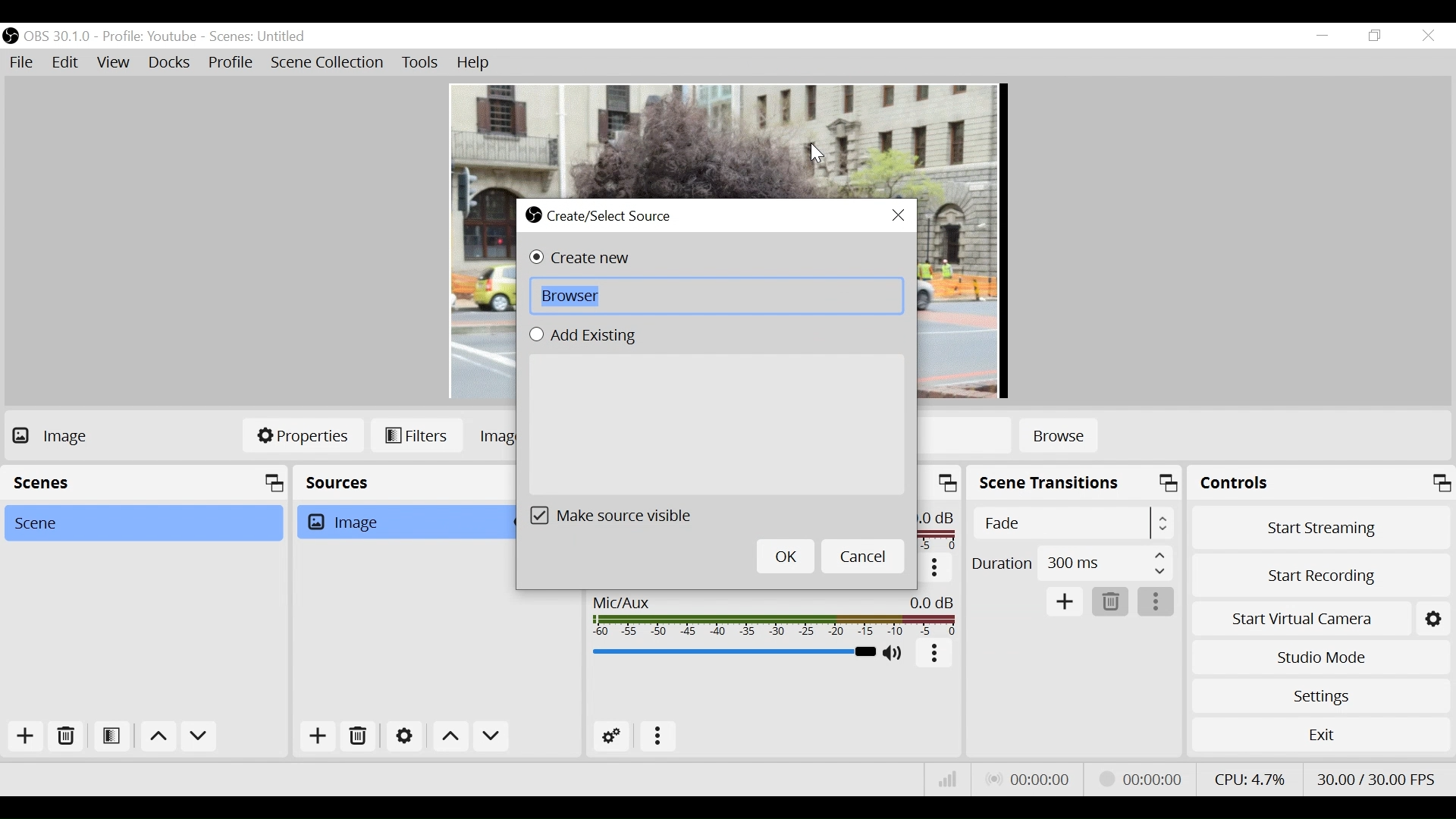  Describe the element at coordinates (658, 736) in the screenshot. I see `more options` at that location.